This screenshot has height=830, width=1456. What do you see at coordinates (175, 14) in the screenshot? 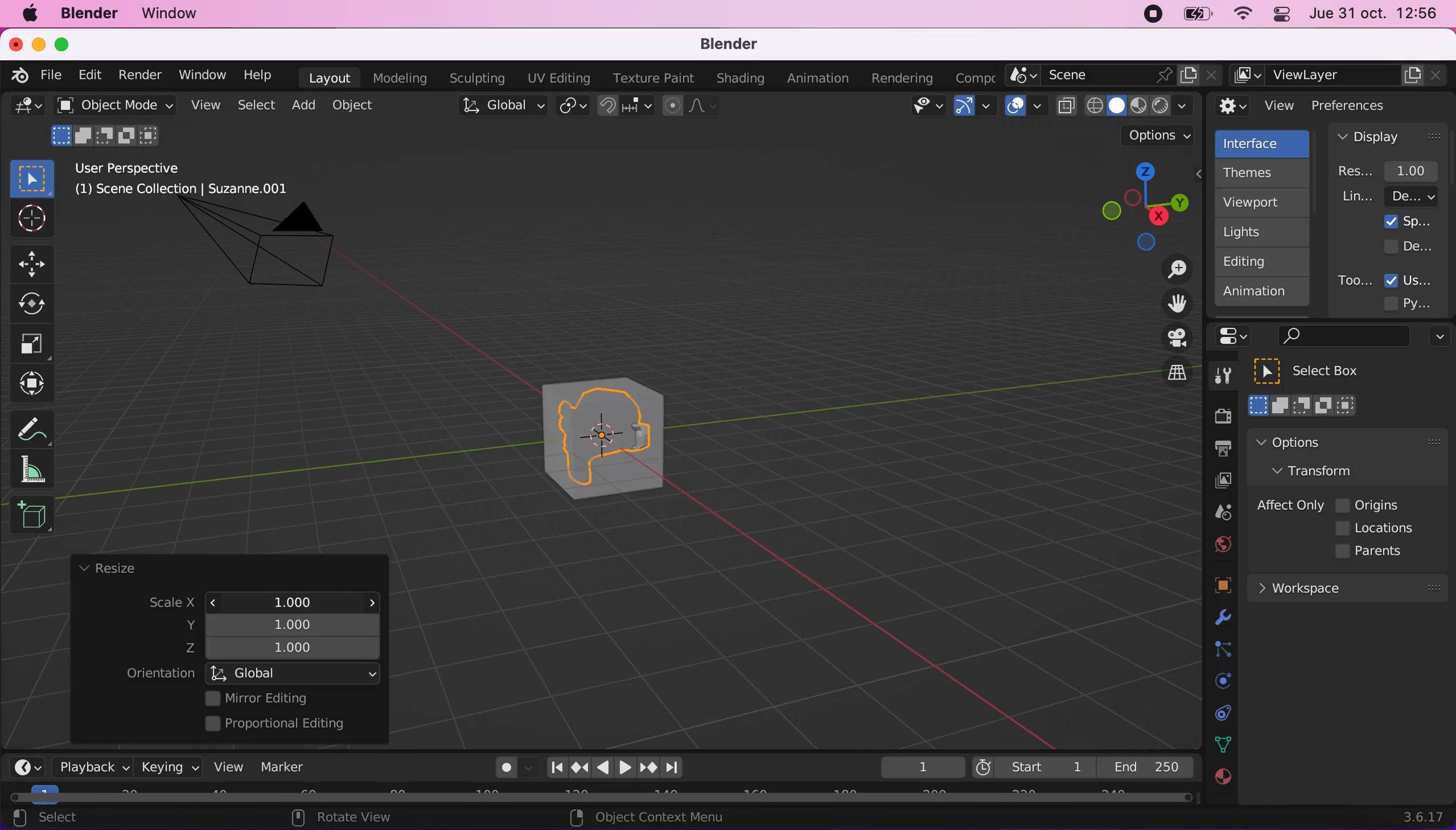
I see `window` at bounding box center [175, 14].